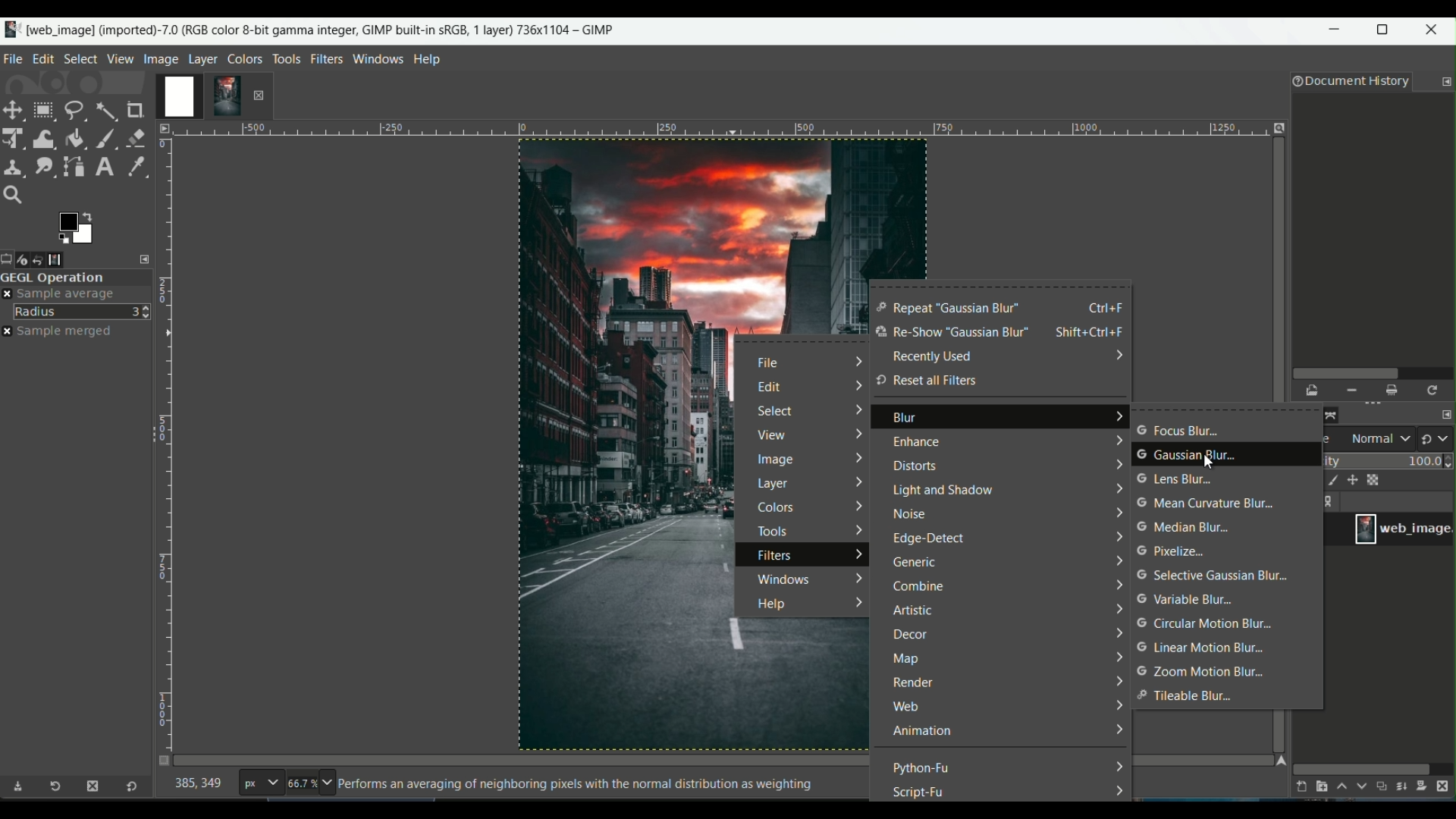 The width and height of the screenshot is (1456, 819). Describe the element at coordinates (1188, 696) in the screenshot. I see `tileable blur` at that location.